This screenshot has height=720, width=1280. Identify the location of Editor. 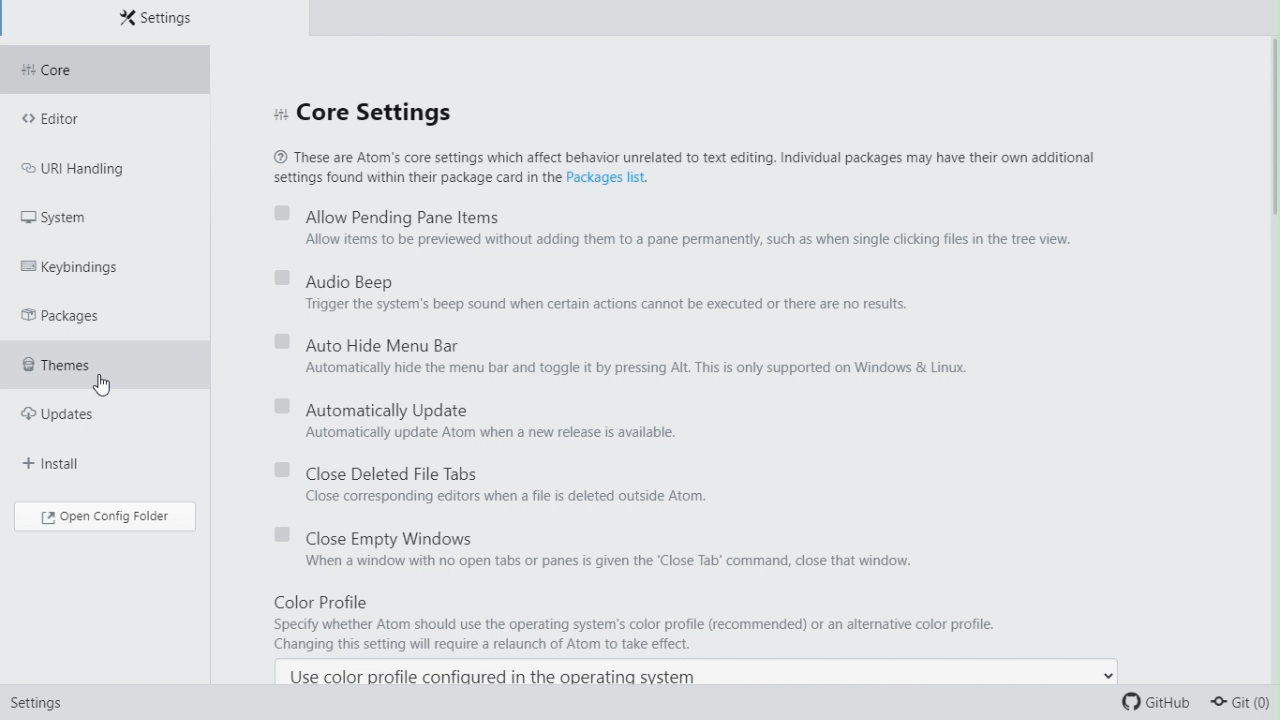
(103, 117).